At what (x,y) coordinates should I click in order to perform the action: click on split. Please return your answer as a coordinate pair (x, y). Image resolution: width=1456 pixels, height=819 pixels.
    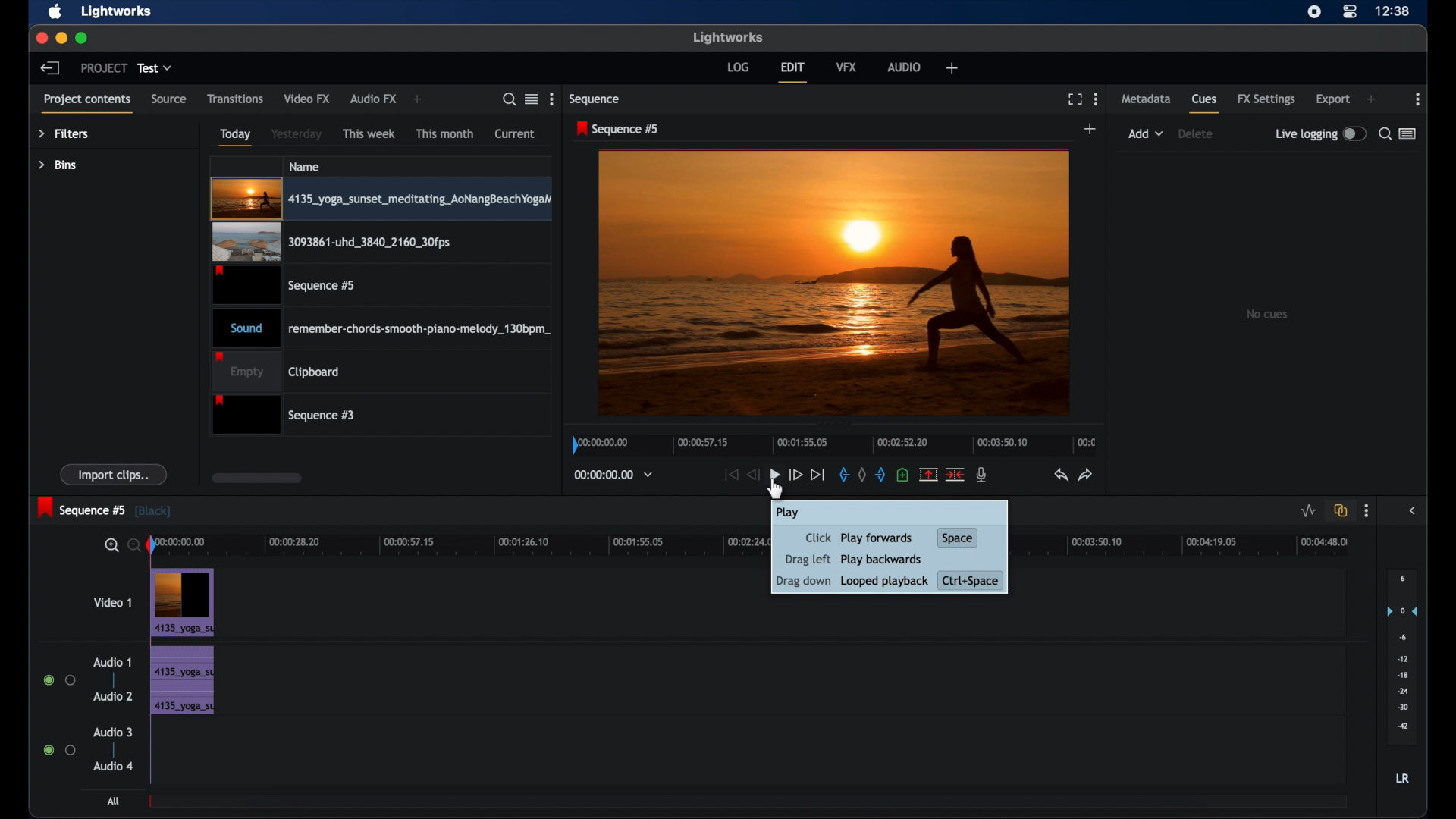
    Looking at the image, I should click on (955, 475).